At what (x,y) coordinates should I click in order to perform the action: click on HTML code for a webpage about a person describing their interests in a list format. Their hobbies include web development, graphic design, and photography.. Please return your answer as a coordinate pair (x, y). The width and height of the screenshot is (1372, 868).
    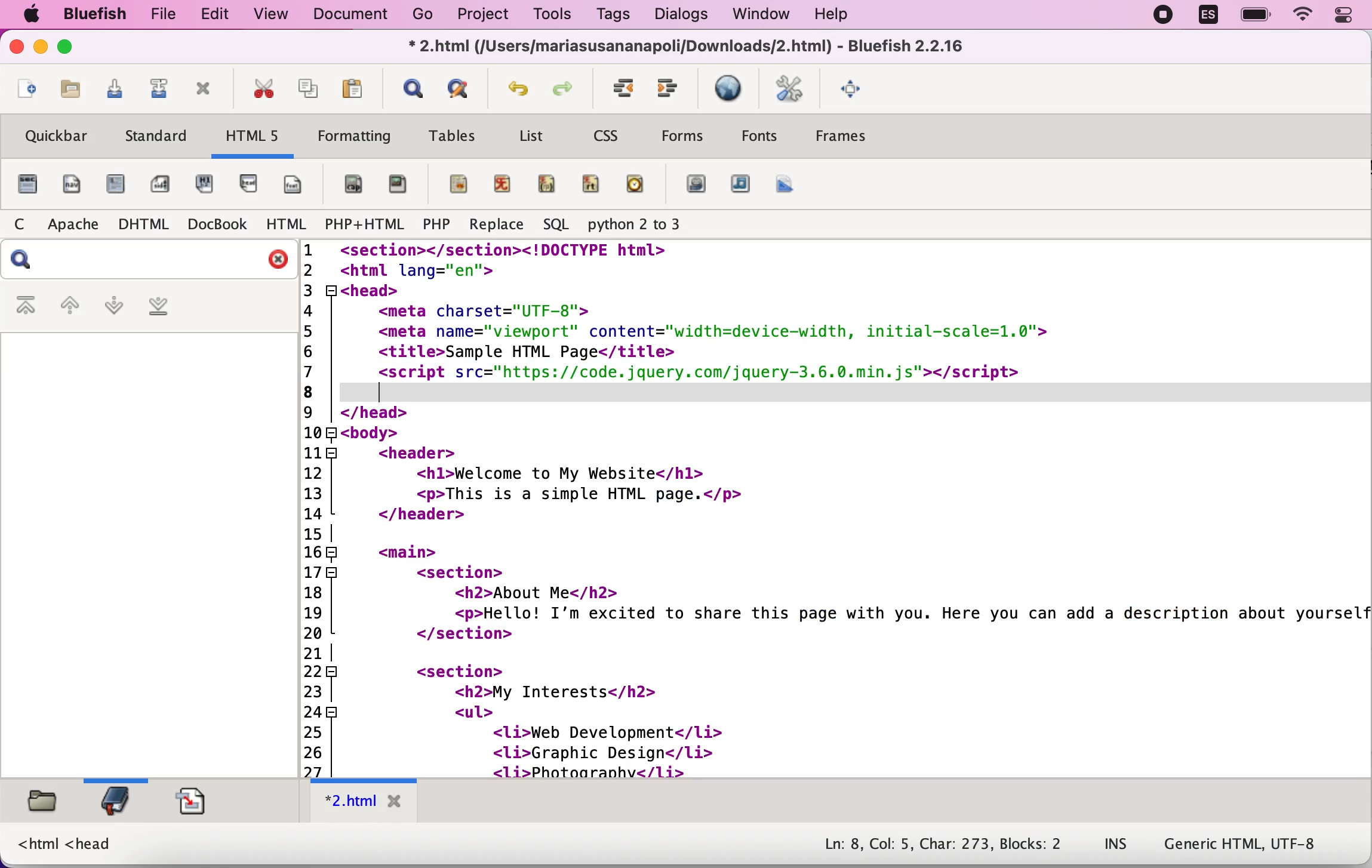
    Looking at the image, I should click on (838, 583).